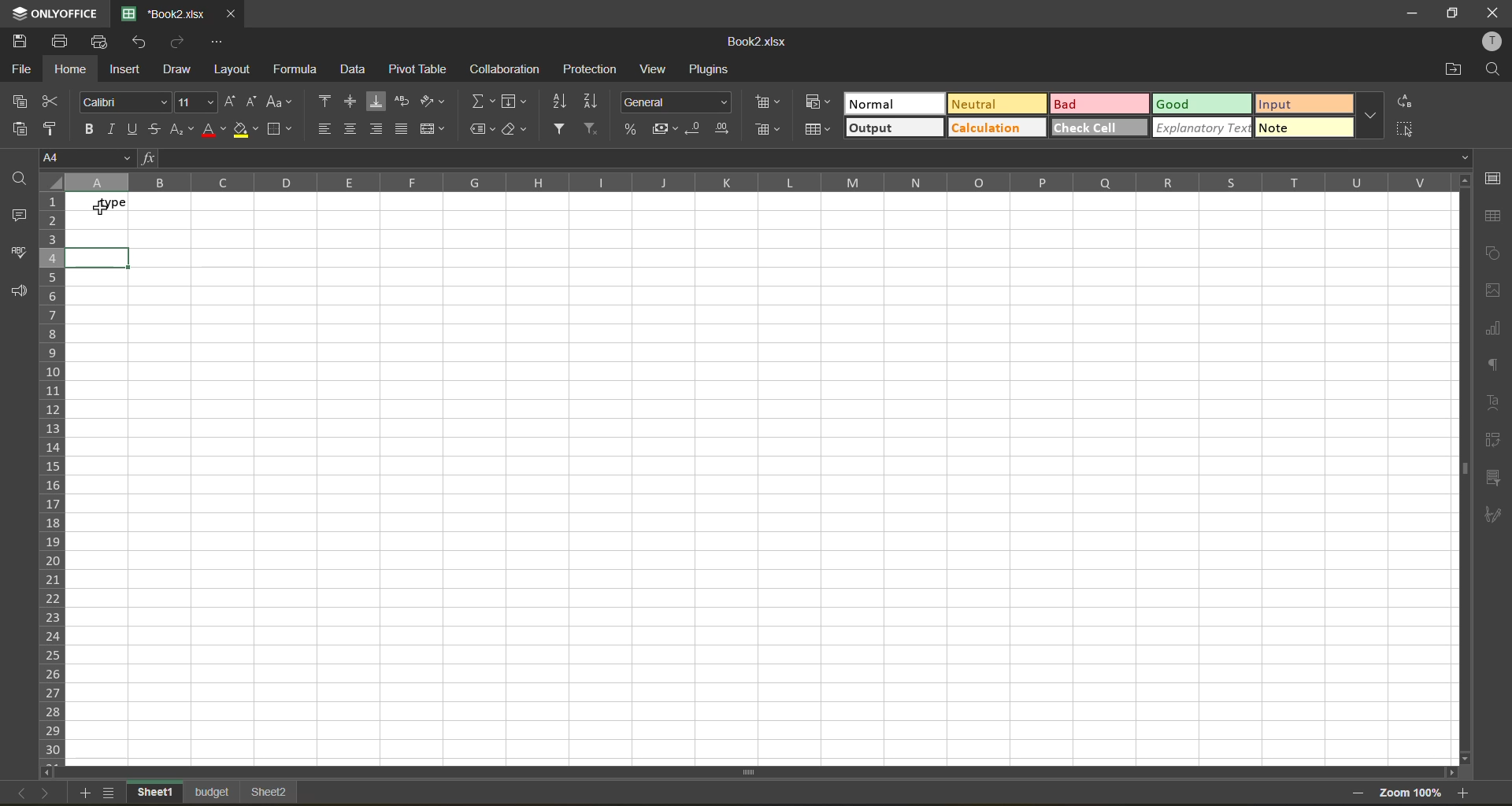 Image resolution: width=1512 pixels, height=806 pixels. Describe the element at coordinates (768, 132) in the screenshot. I see `remove cells` at that location.